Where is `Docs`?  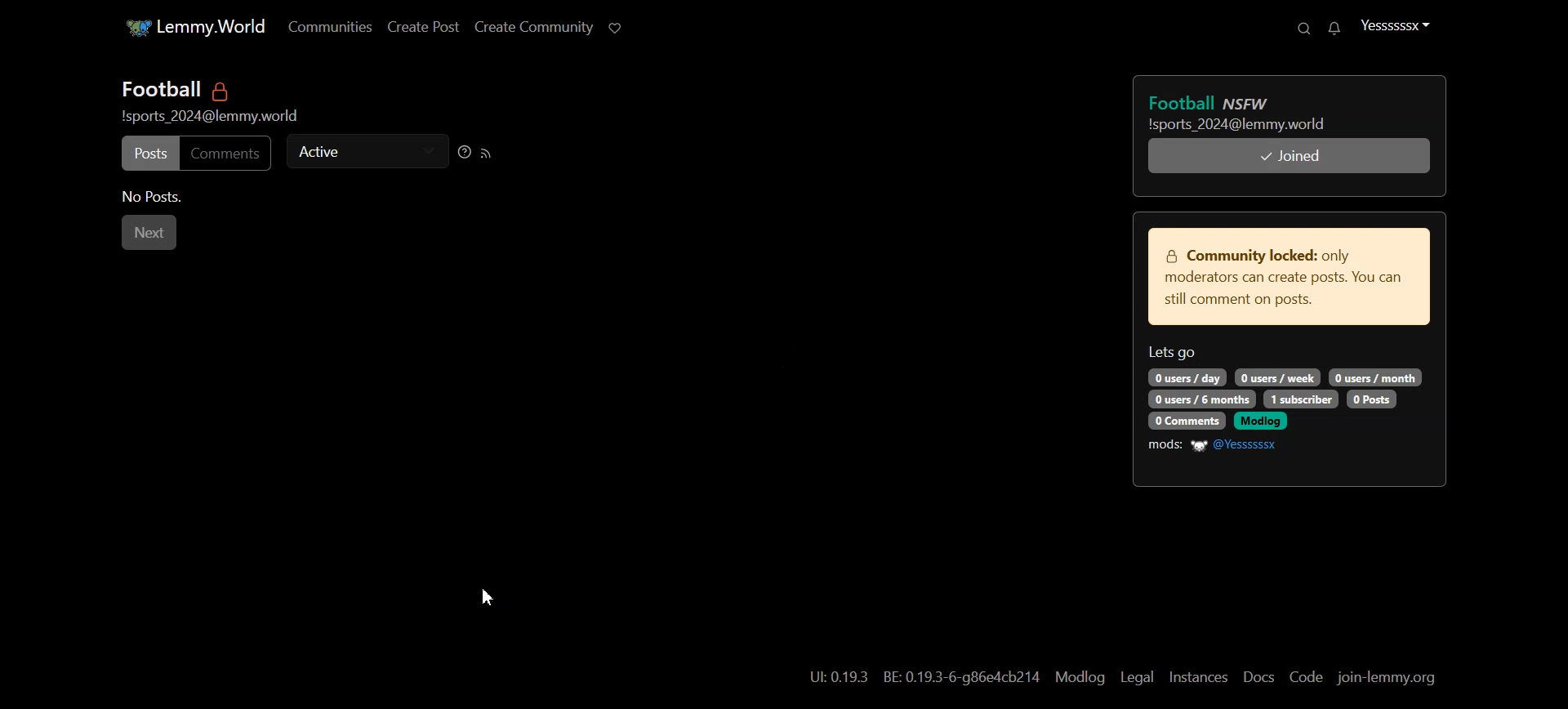
Docs is located at coordinates (1248, 676).